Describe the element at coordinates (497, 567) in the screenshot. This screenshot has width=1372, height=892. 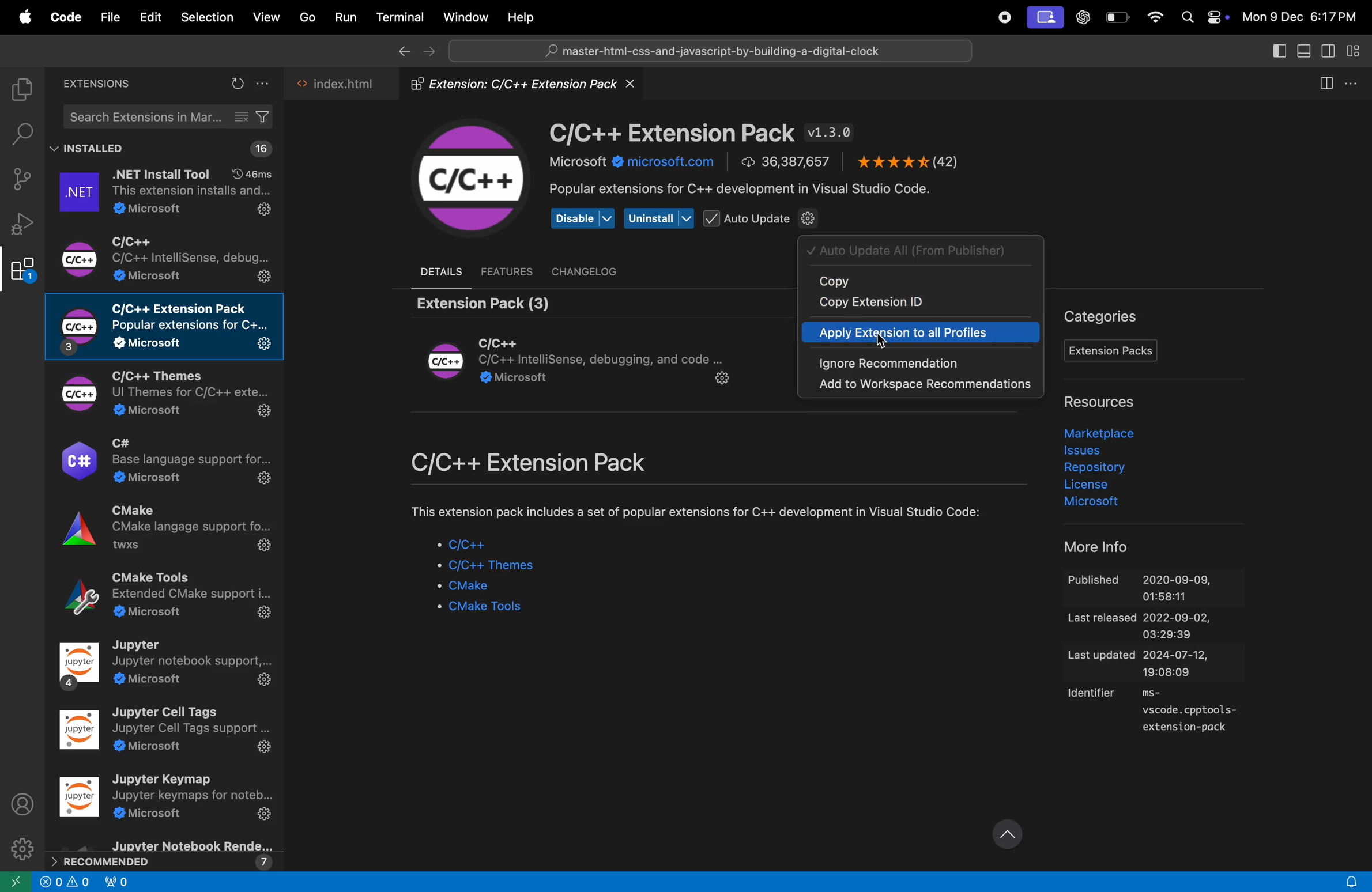
I see `c/C++ themes` at that location.